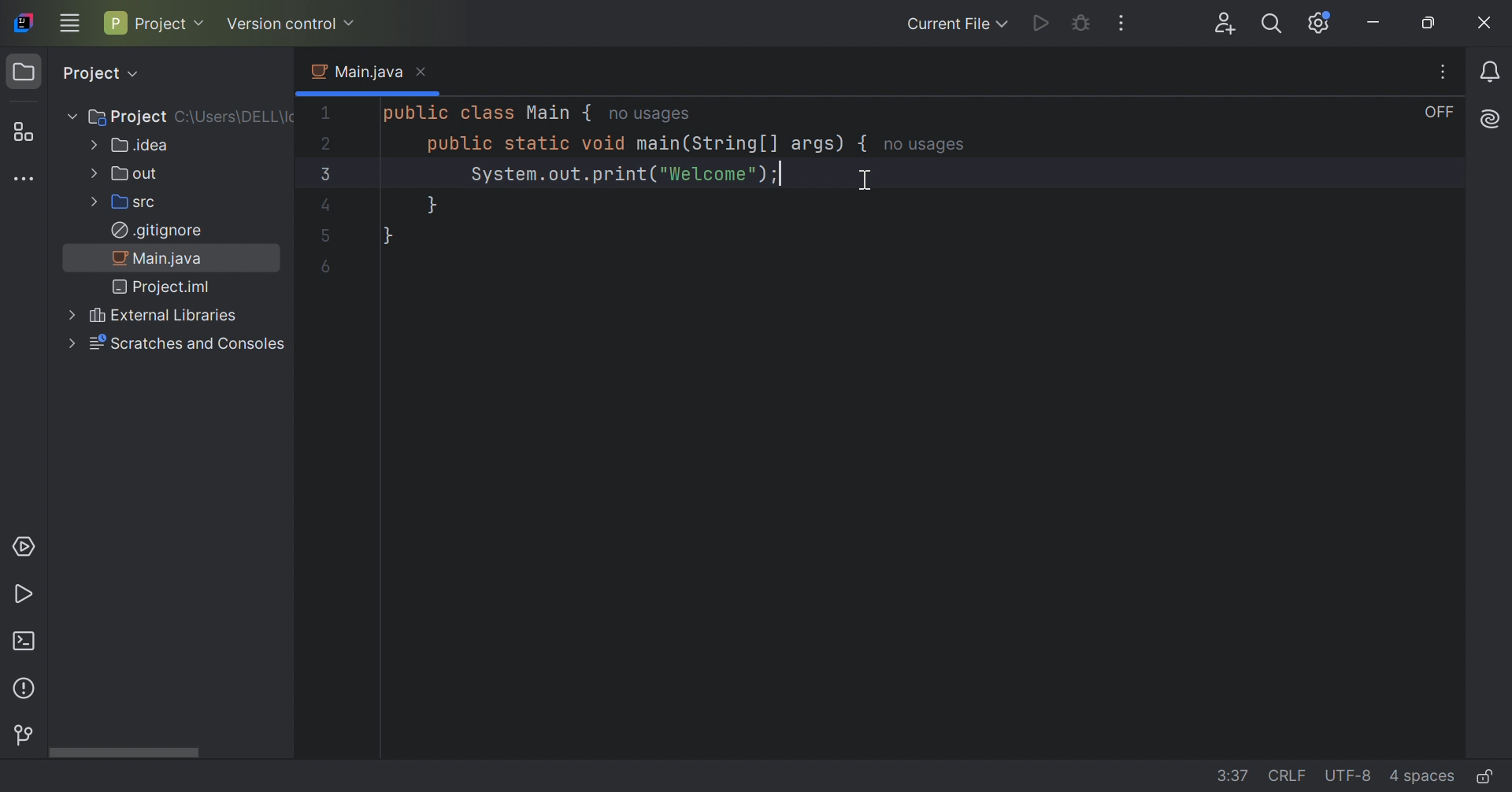 The image size is (1512, 792). Describe the element at coordinates (483, 113) in the screenshot. I see `public class Main {` at that location.